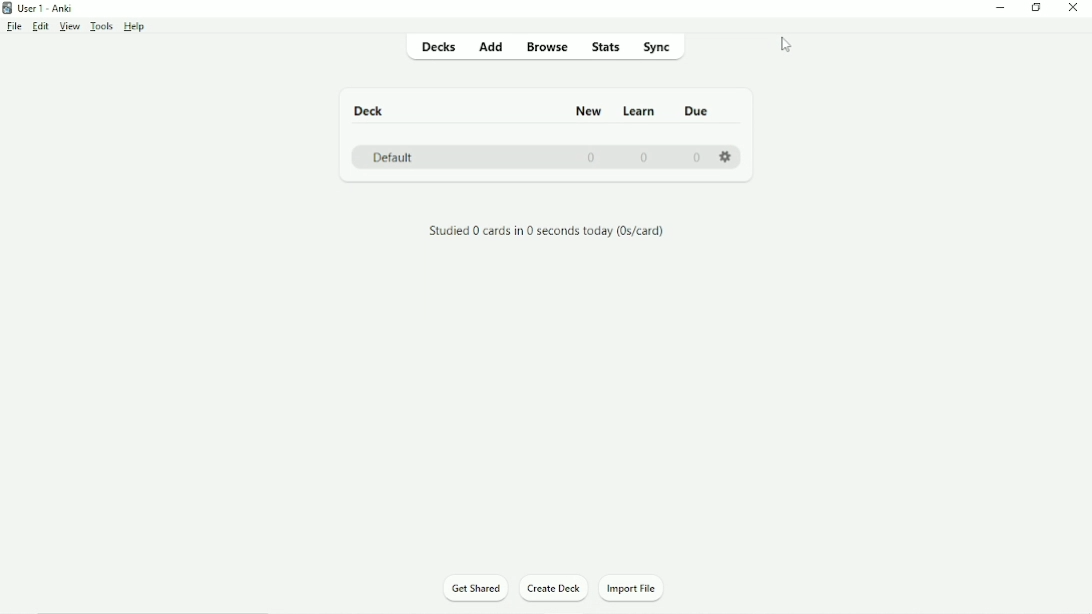 This screenshot has height=614, width=1092. What do you see at coordinates (68, 27) in the screenshot?
I see `View` at bounding box center [68, 27].